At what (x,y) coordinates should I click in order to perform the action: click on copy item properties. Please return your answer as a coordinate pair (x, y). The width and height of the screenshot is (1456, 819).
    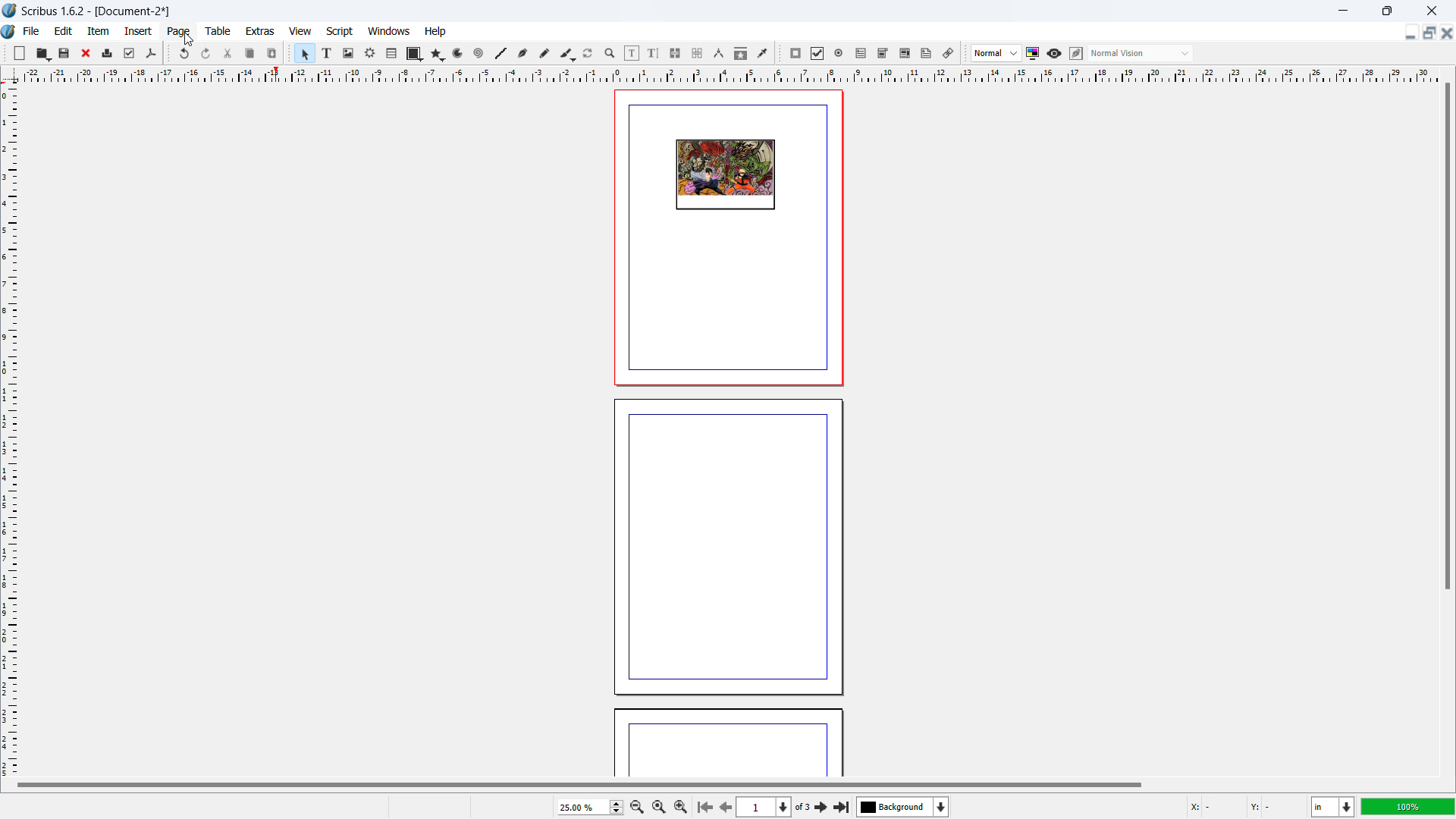
    Looking at the image, I should click on (741, 53).